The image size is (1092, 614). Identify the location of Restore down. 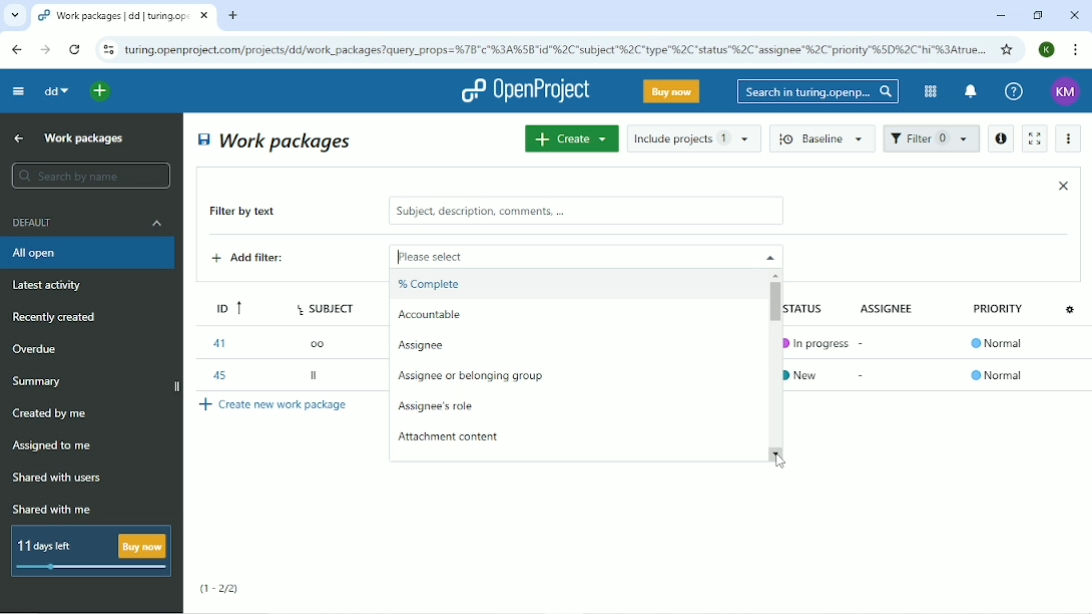
(1037, 15).